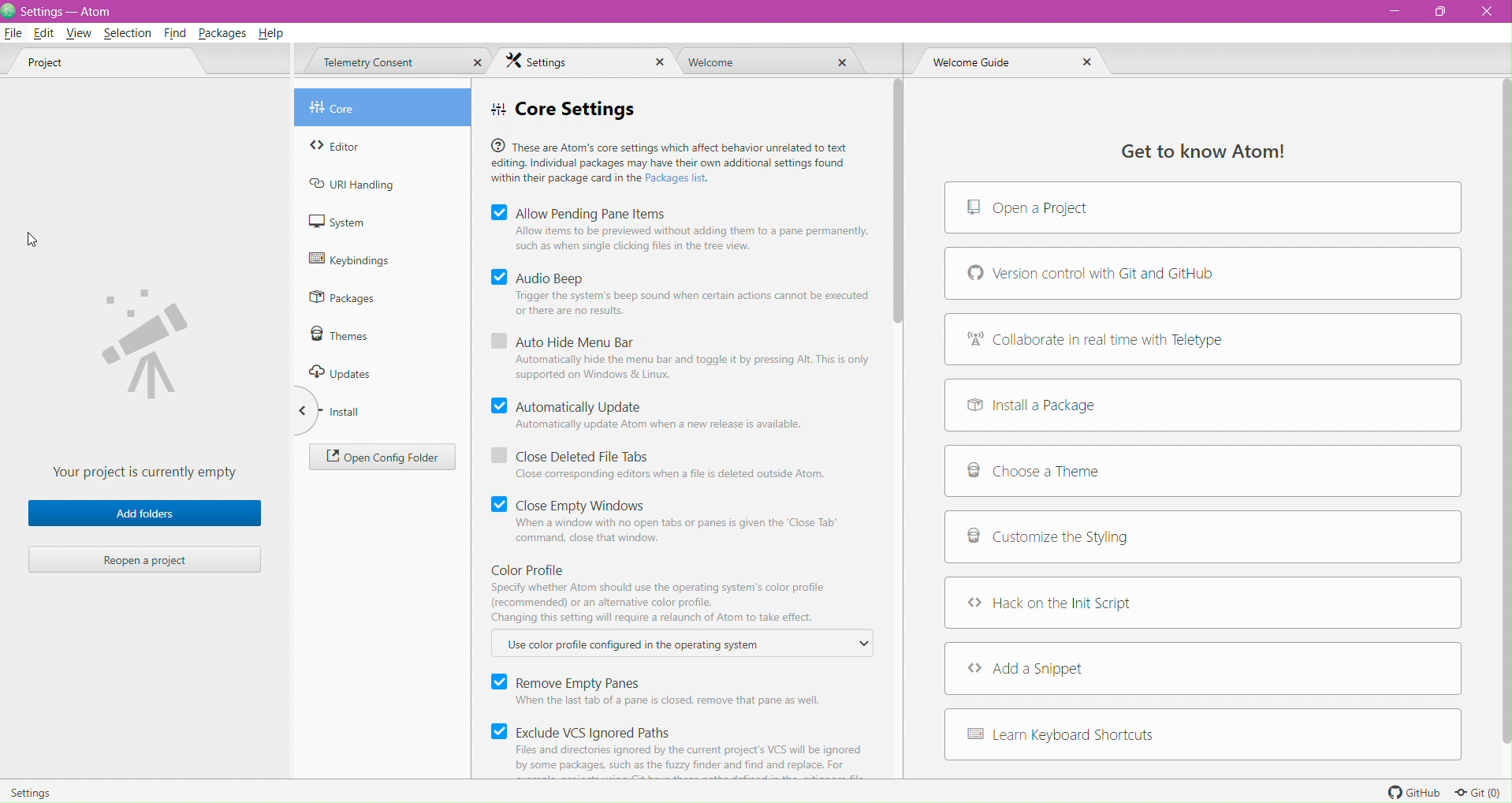 The height and width of the screenshot is (803, 1512). What do you see at coordinates (147, 373) in the screenshot?
I see `Your project is currently empty` at bounding box center [147, 373].